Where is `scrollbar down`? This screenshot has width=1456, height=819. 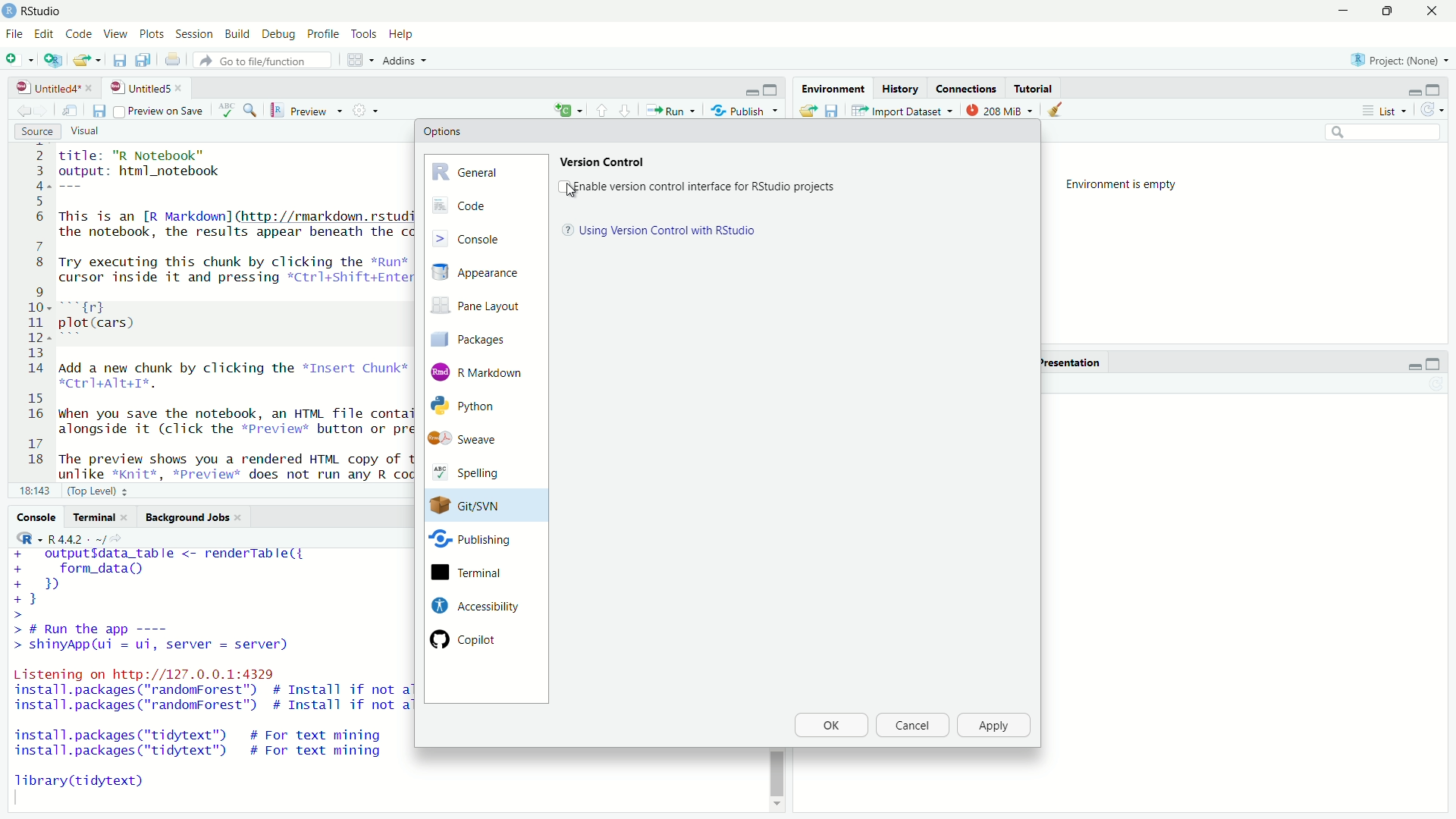
scrollbar down is located at coordinates (775, 808).